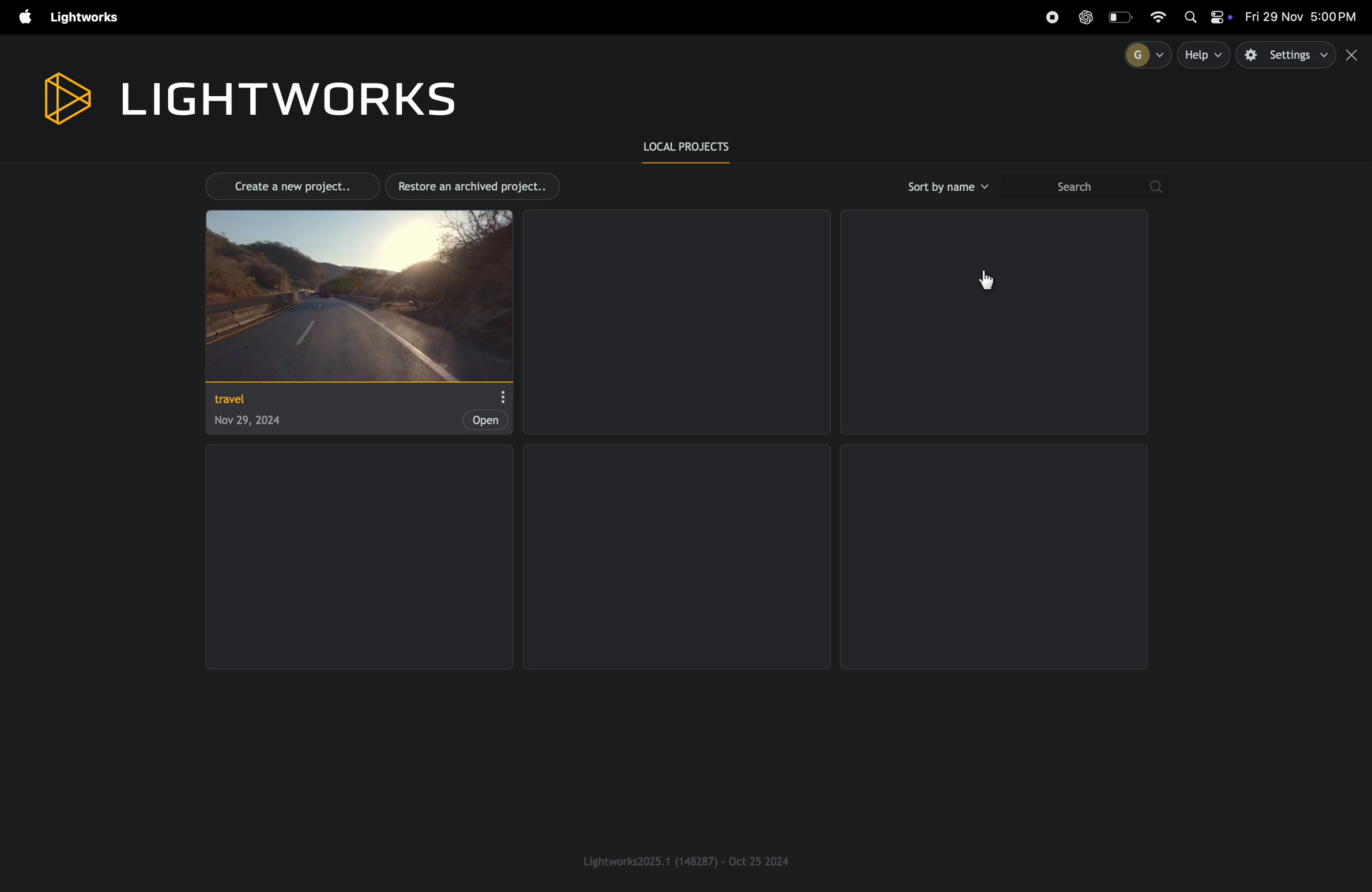  Describe the element at coordinates (695, 148) in the screenshot. I see `local prroject` at that location.